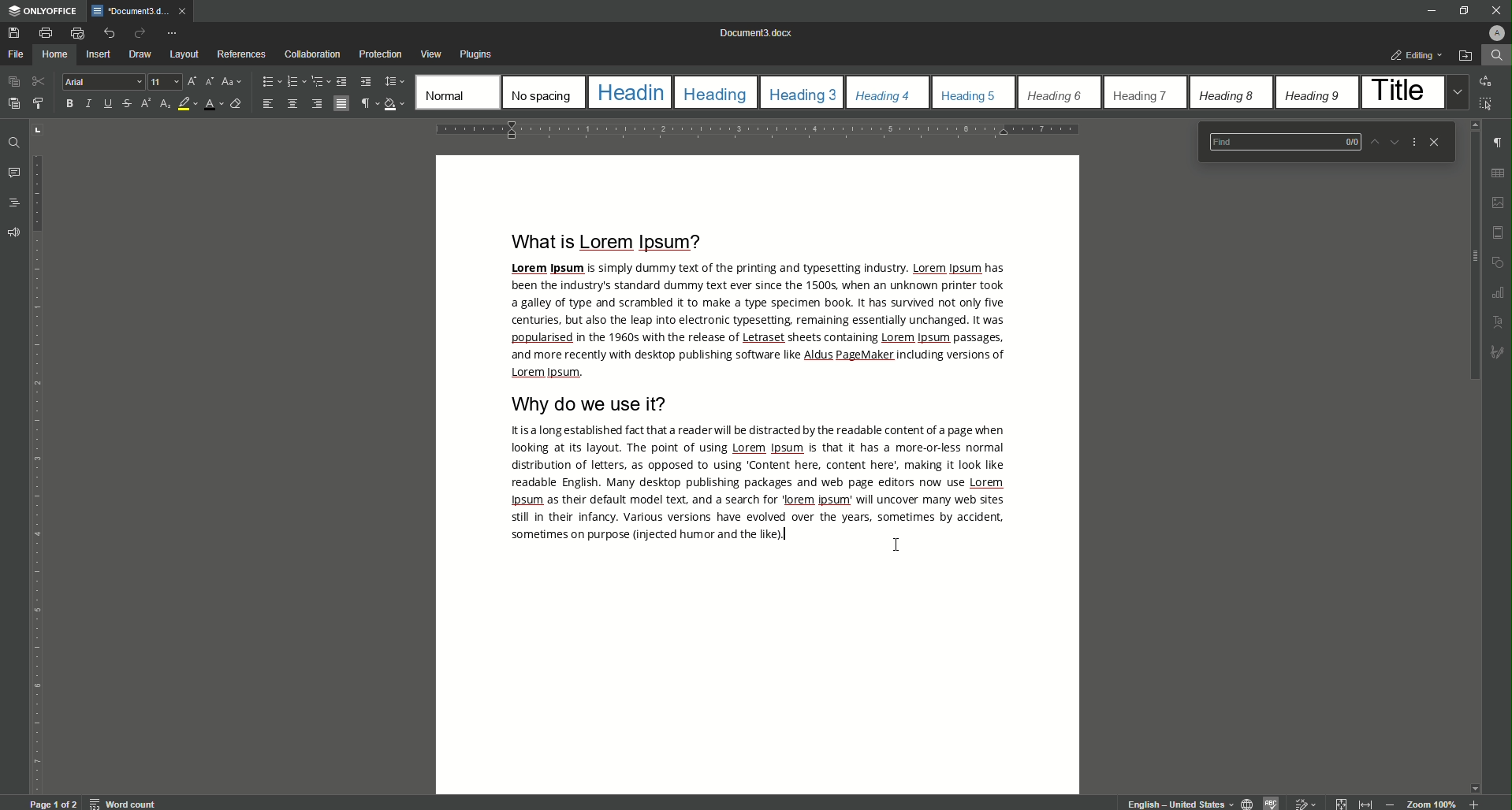 This screenshot has width=1512, height=810. Describe the element at coordinates (454, 90) in the screenshot. I see `Normal` at that location.